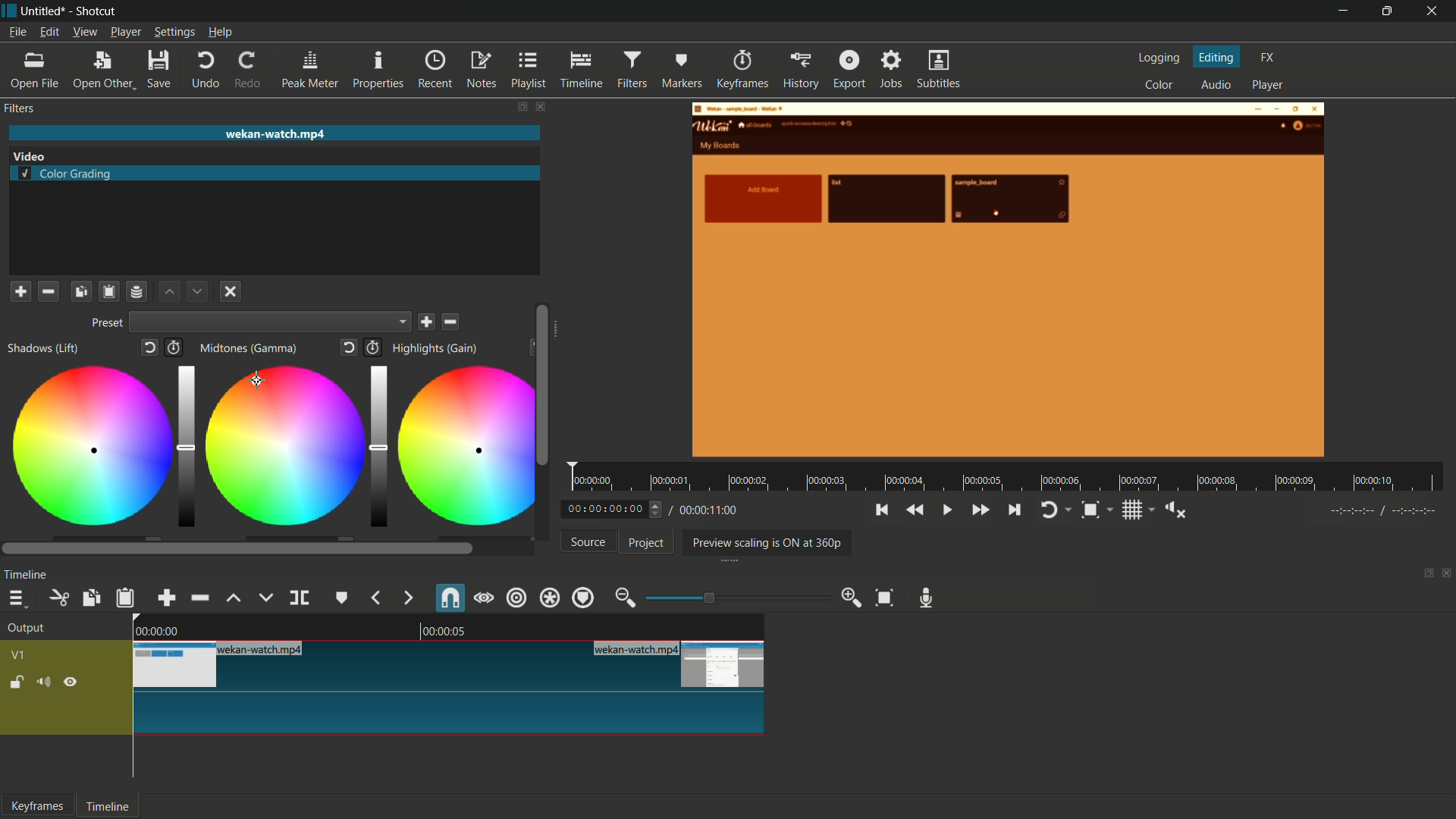 The image size is (1456, 819). I want to click on quickly play forward, so click(980, 510).